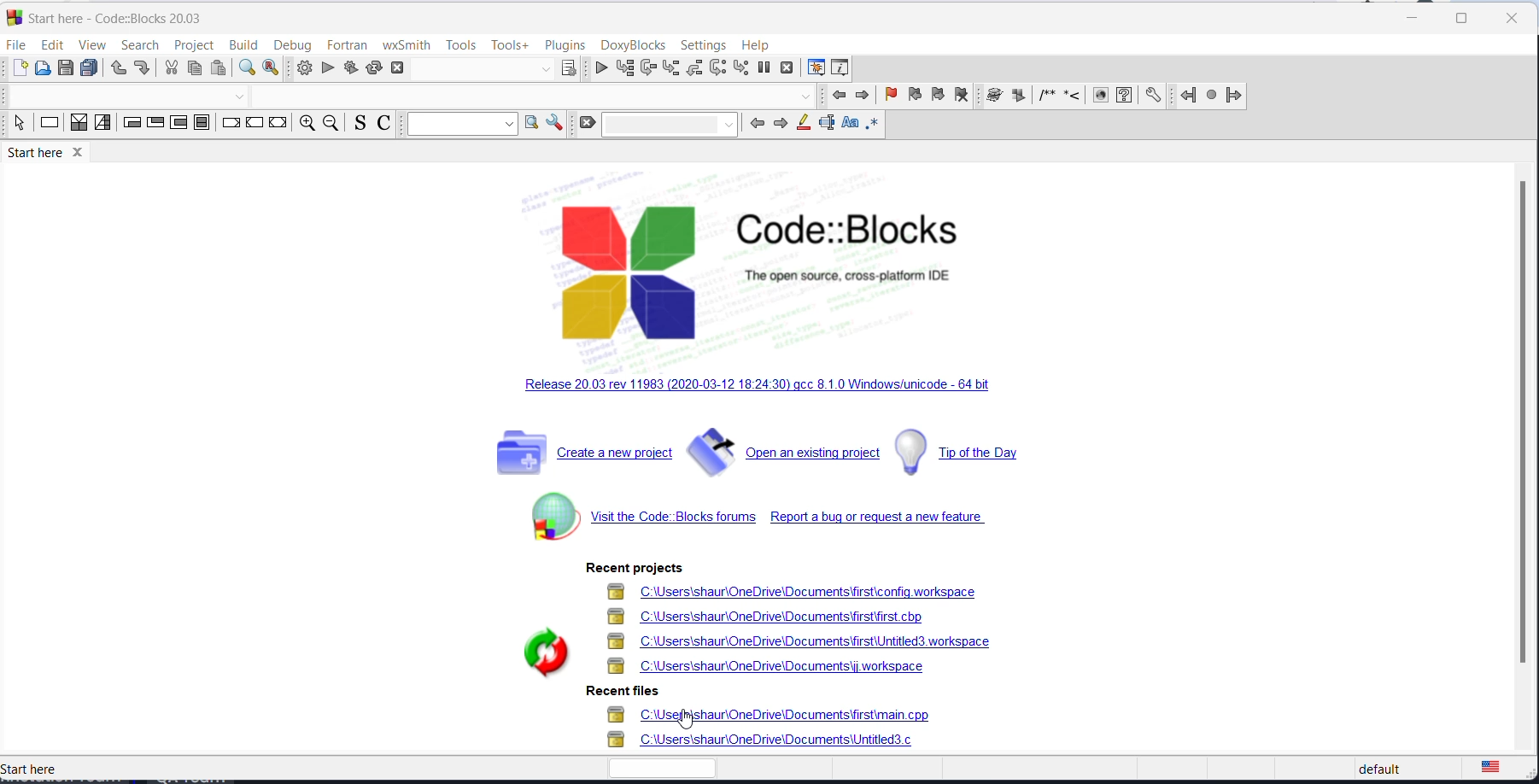 Image resolution: width=1539 pixels, height=784 pixels. I want to click on zoom in, so click(305, 125).